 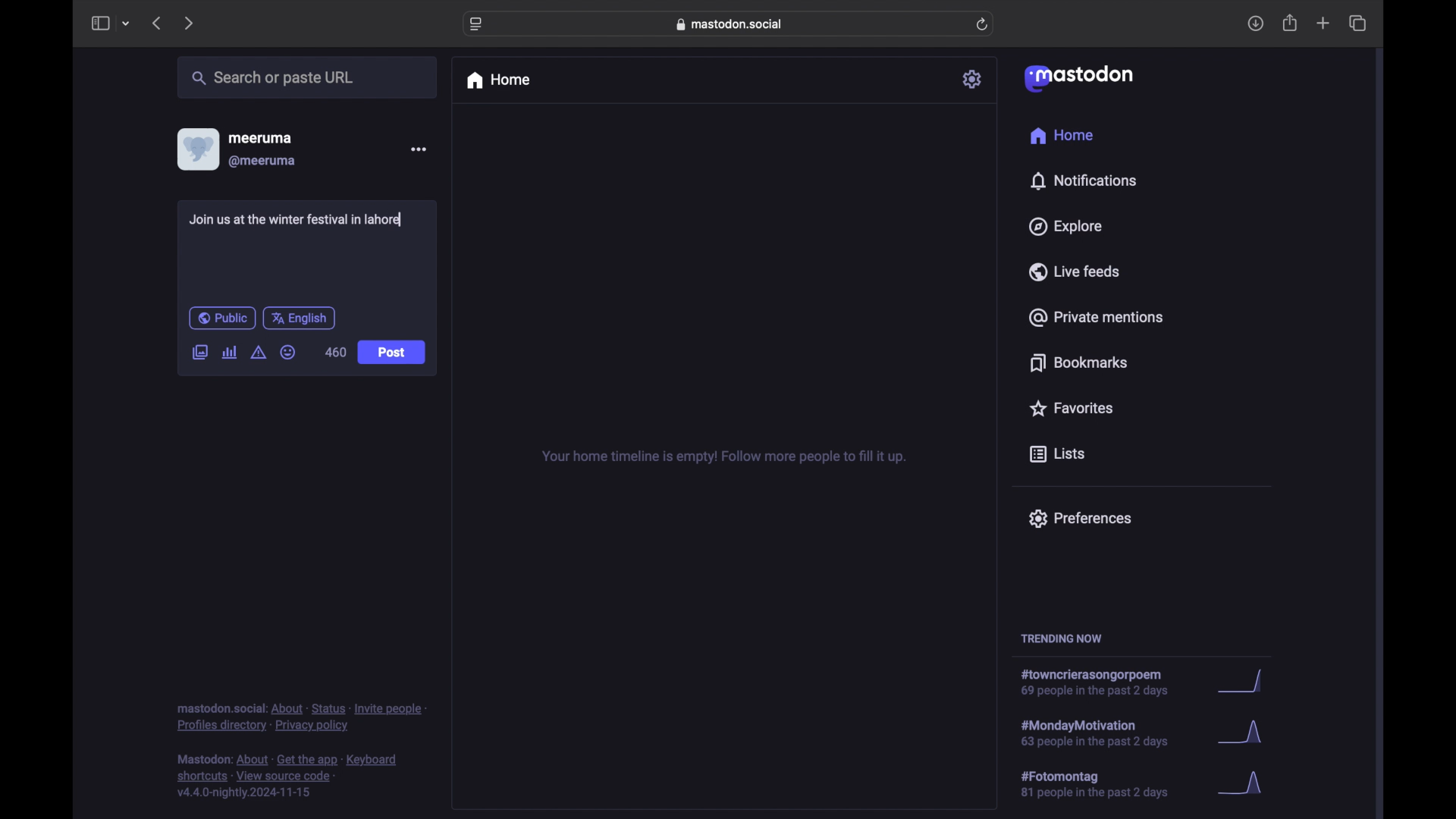 I want to click on more options, so click(x=419, y=149).